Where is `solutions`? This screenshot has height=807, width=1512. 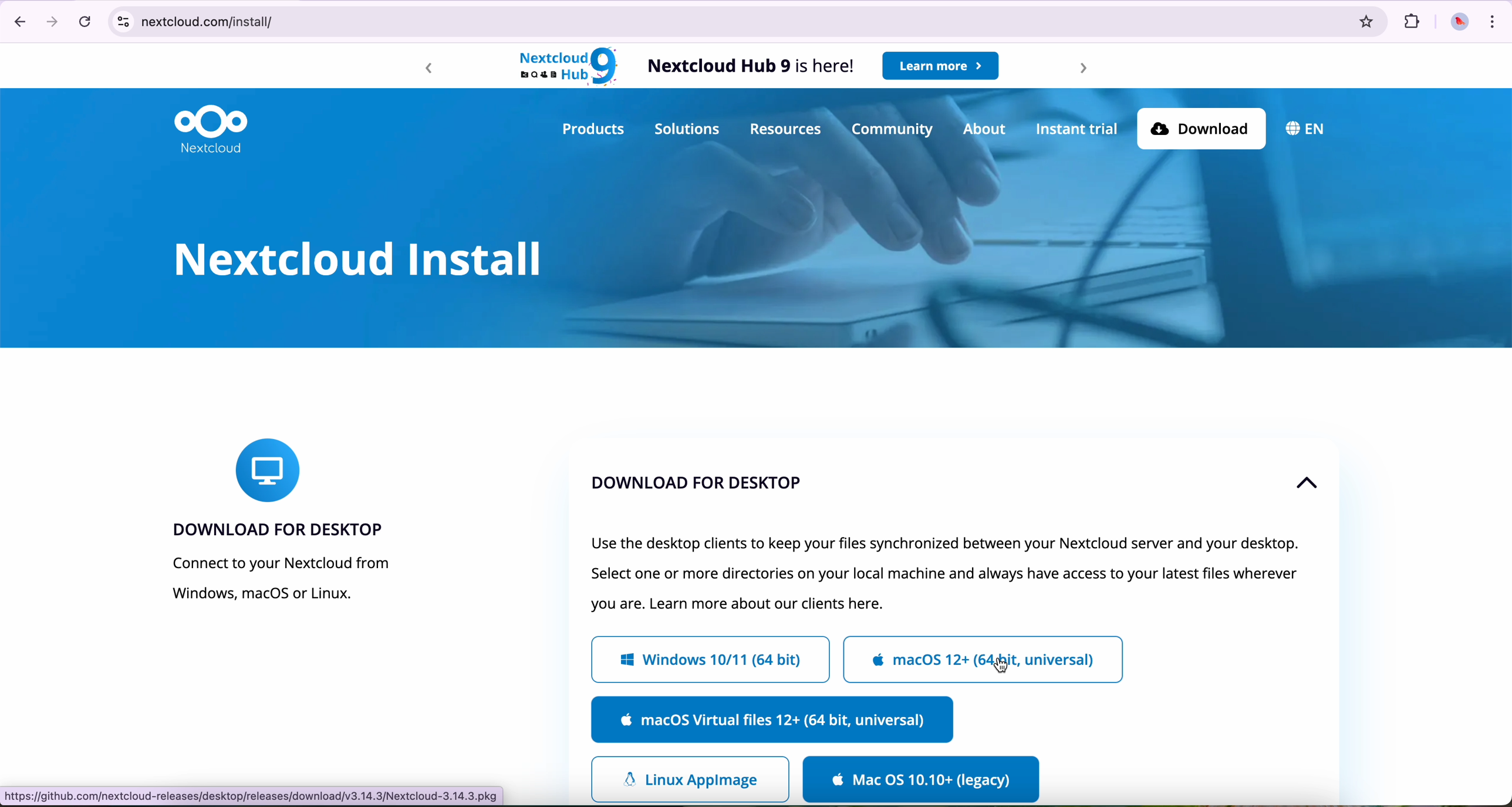
solutions is located at coordinates (686, 128).